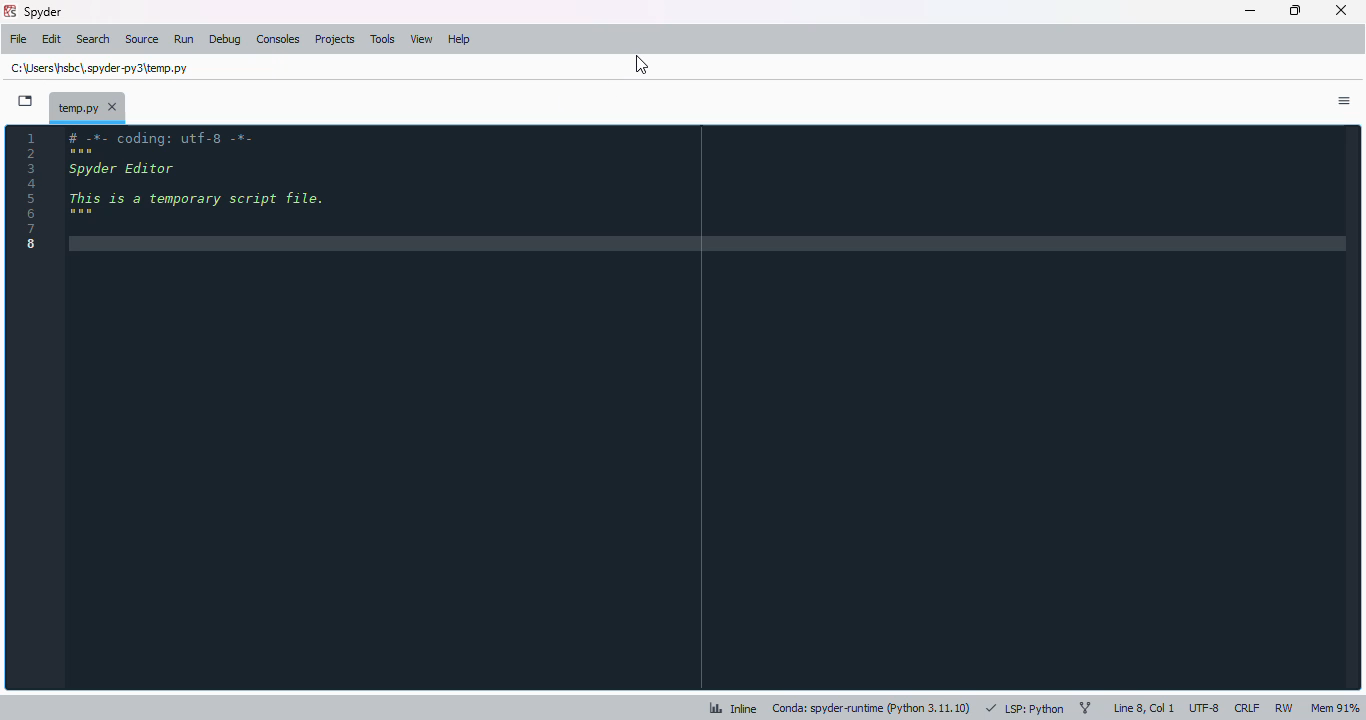 This screenshot has height=720, width=1366. What do you see at coordinates (226, 40) in the screenshot?
I see `debug` at bounding box center [226, 40].